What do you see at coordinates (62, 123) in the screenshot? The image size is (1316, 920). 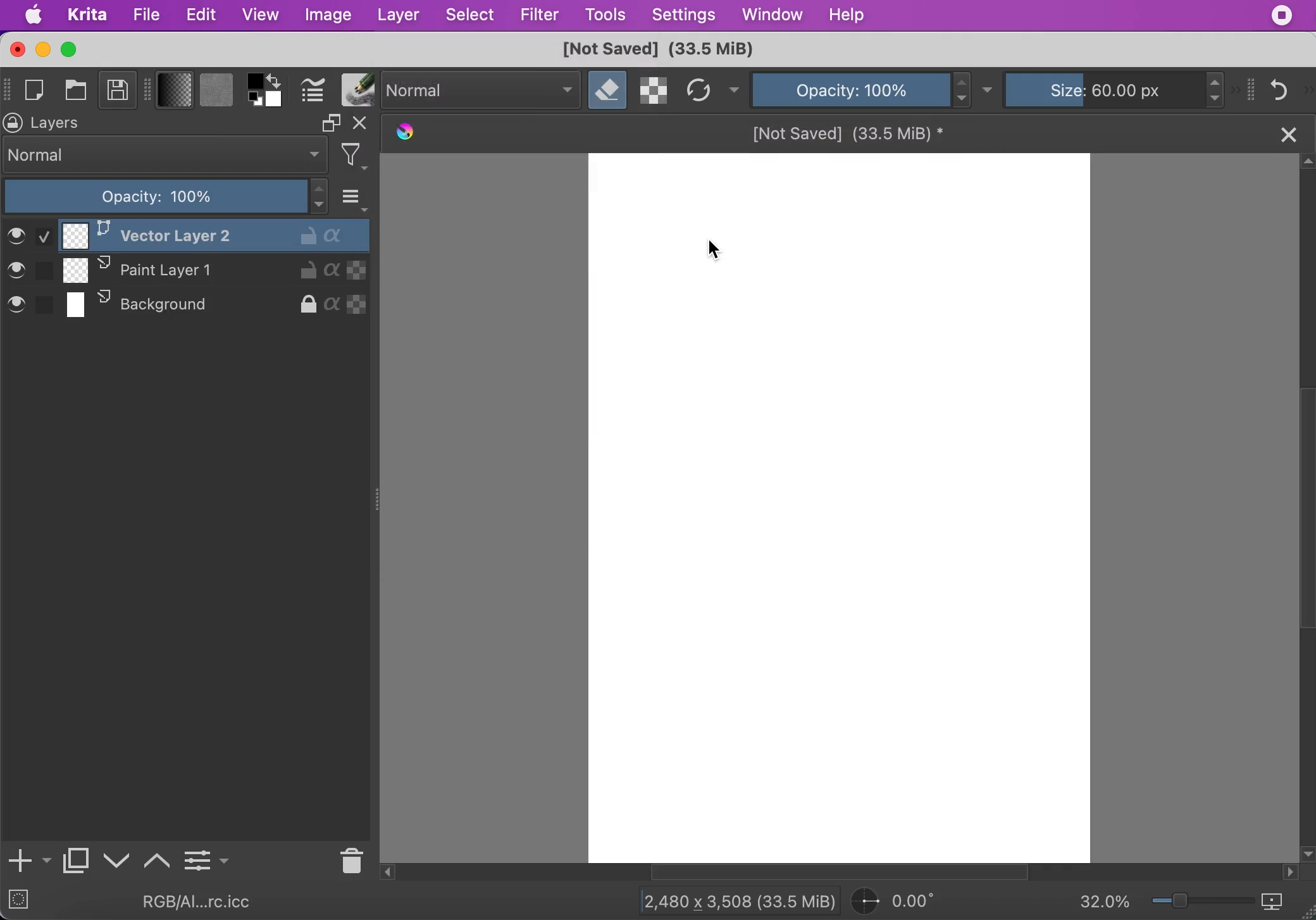 I see `layers` at bounding box center [62, 123].